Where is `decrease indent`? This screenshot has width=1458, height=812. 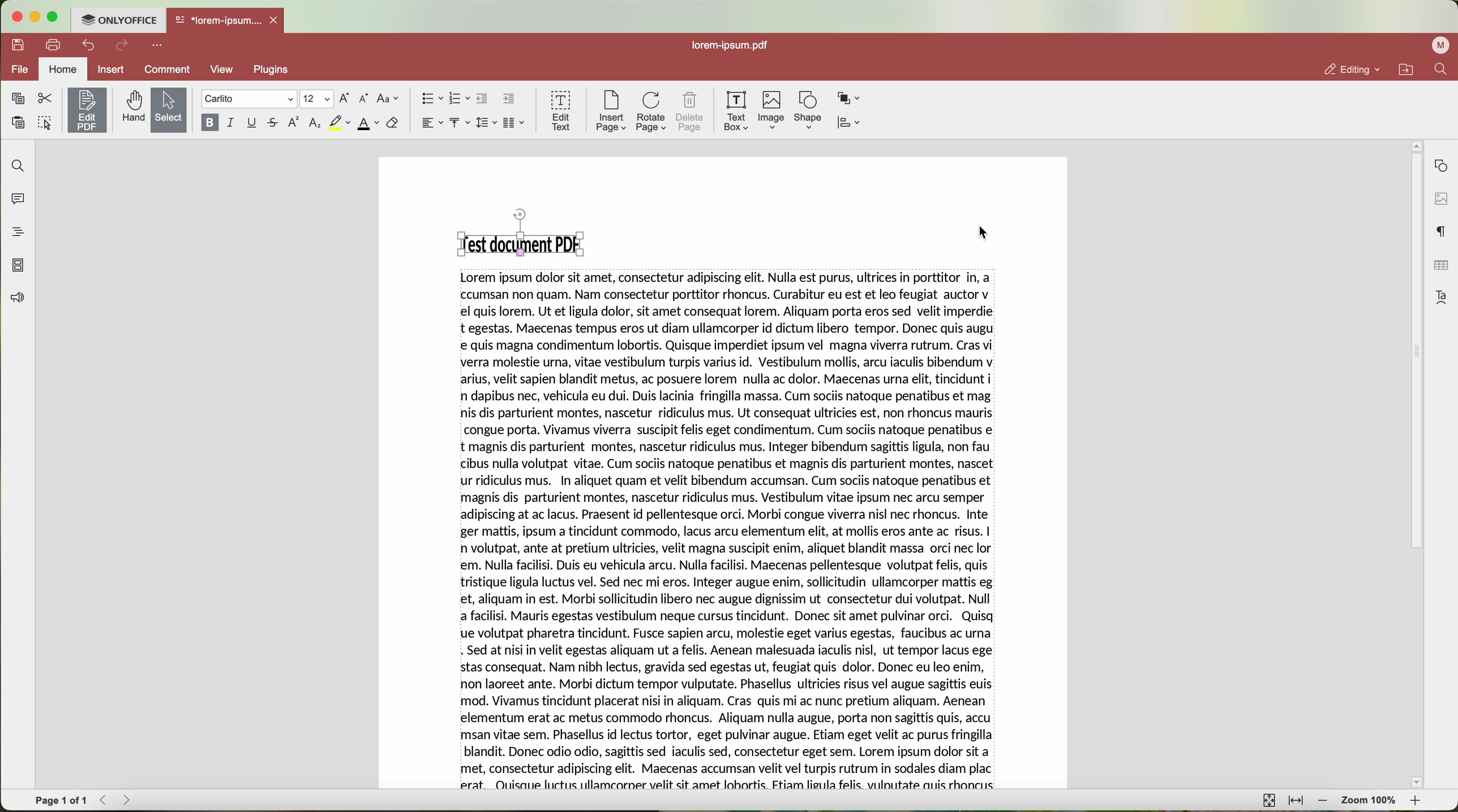 decrease indent is located at coordinates (484, 99).